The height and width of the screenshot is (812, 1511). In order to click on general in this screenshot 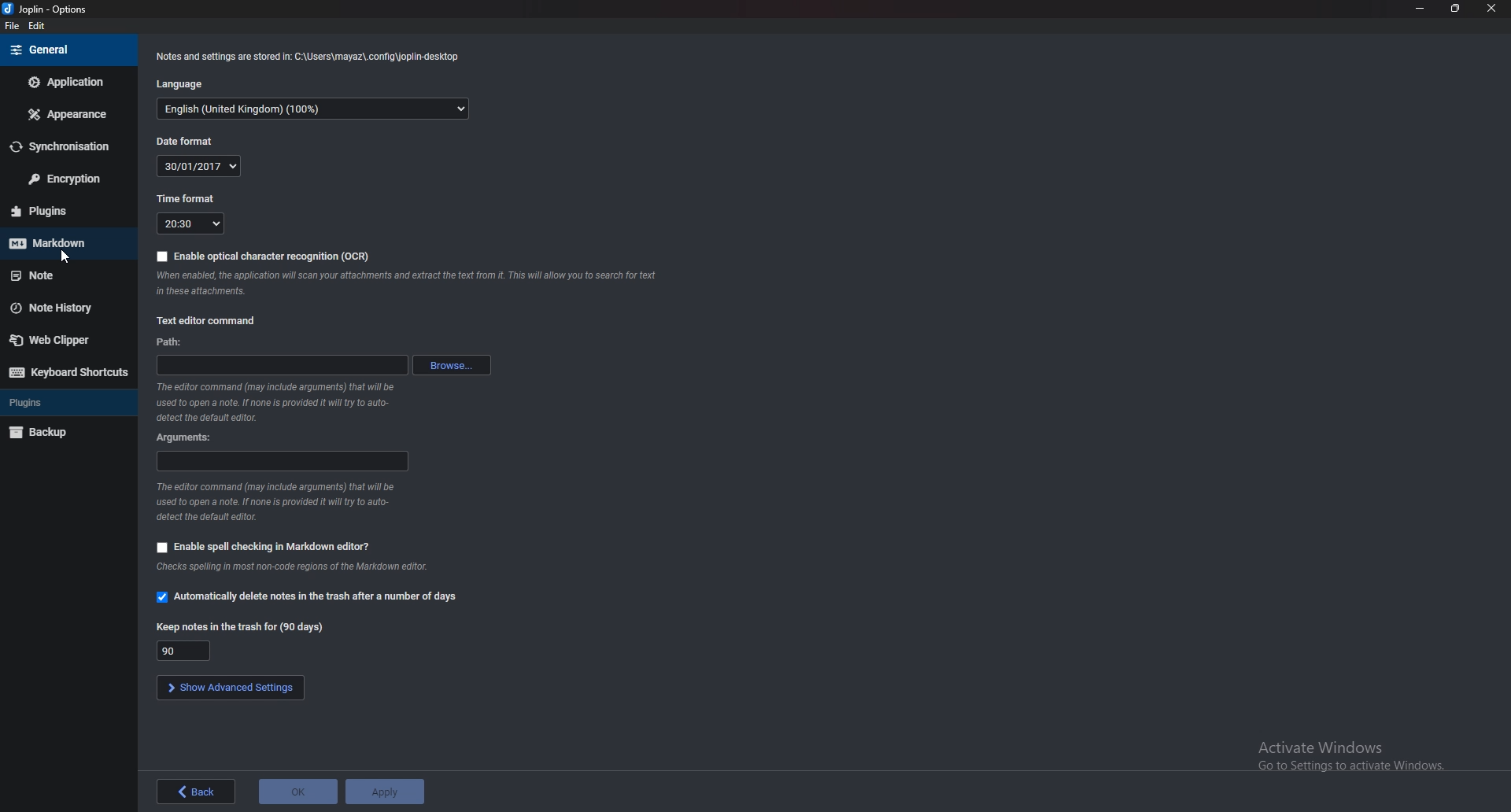, I will do `click(68, 49)`.